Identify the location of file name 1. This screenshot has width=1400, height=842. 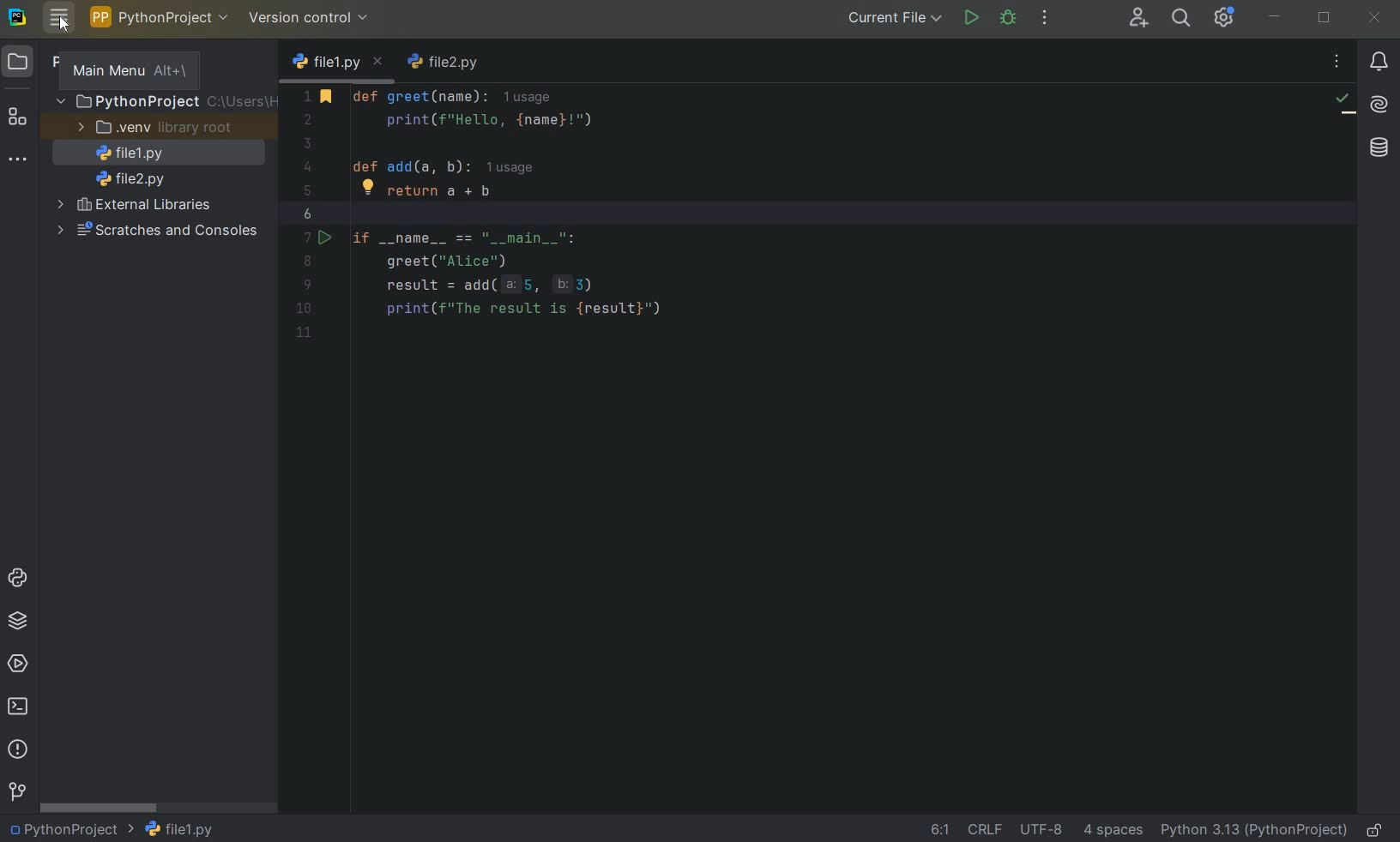
(125, 153).